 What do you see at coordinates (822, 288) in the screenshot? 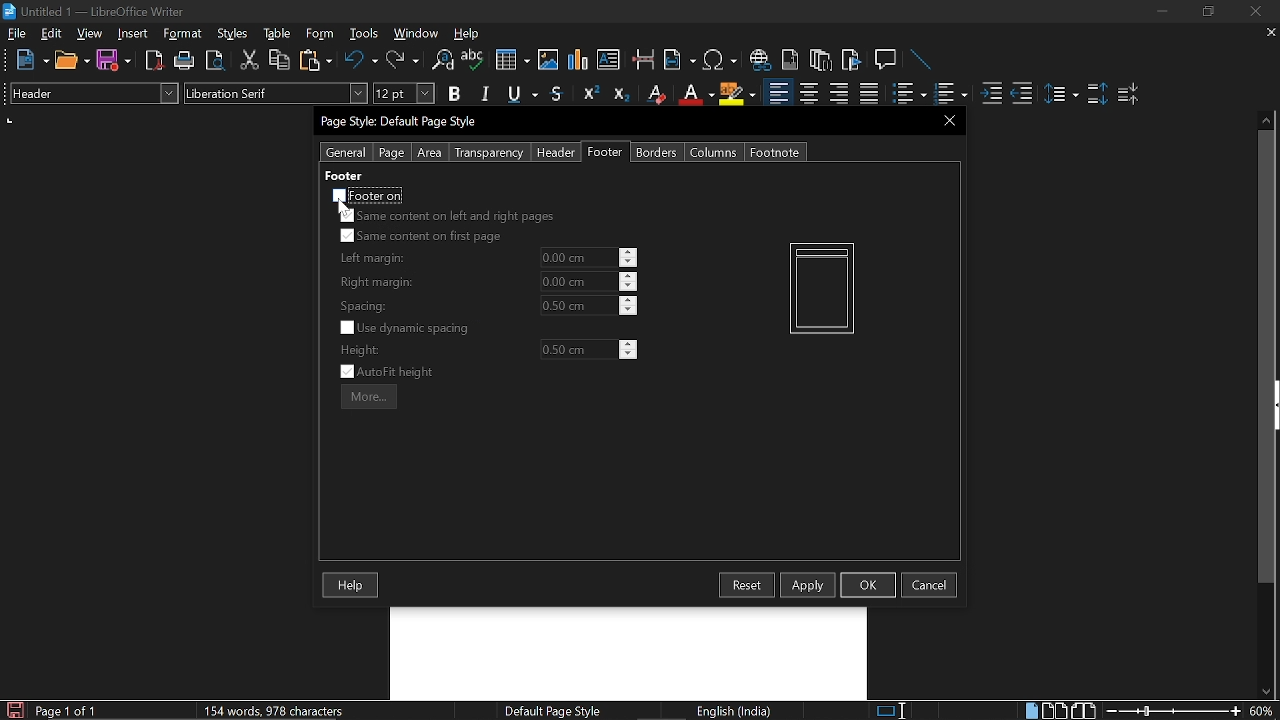
I see `Current pageview` at bounding box center [822, 288].